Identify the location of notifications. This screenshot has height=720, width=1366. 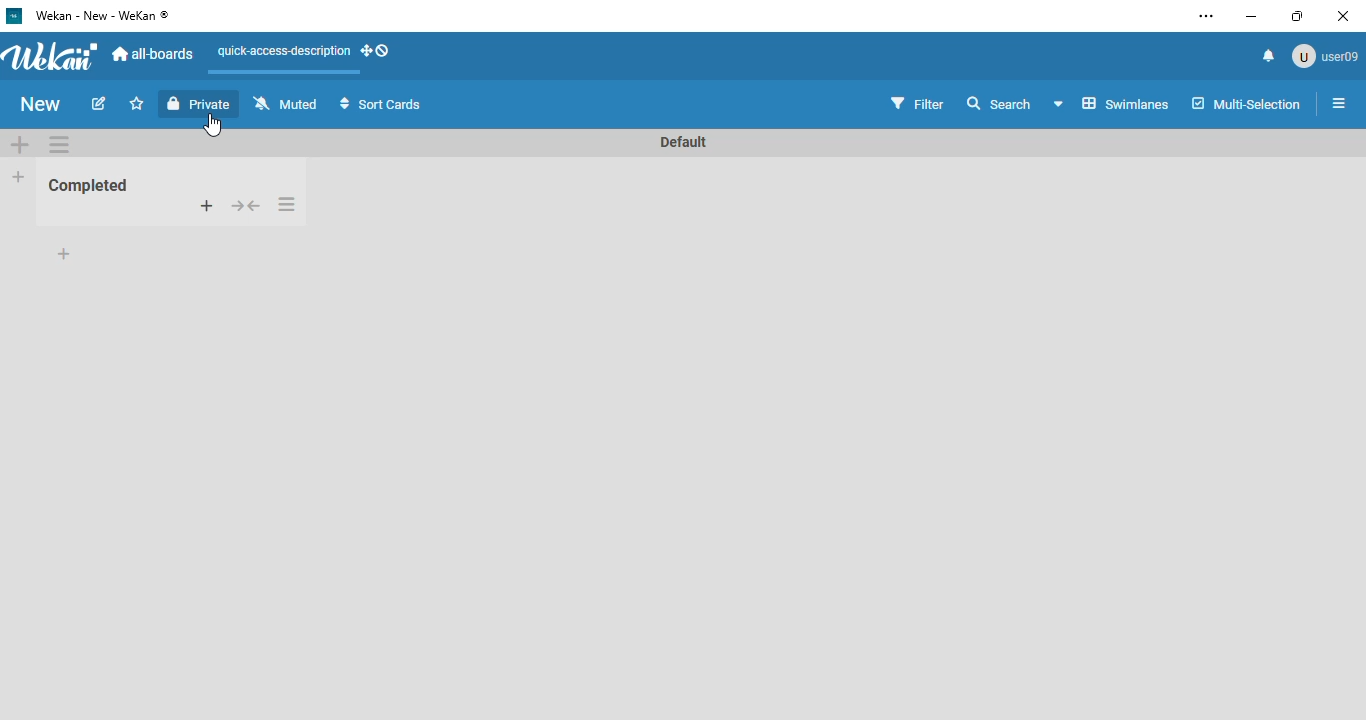
(1270, 55).